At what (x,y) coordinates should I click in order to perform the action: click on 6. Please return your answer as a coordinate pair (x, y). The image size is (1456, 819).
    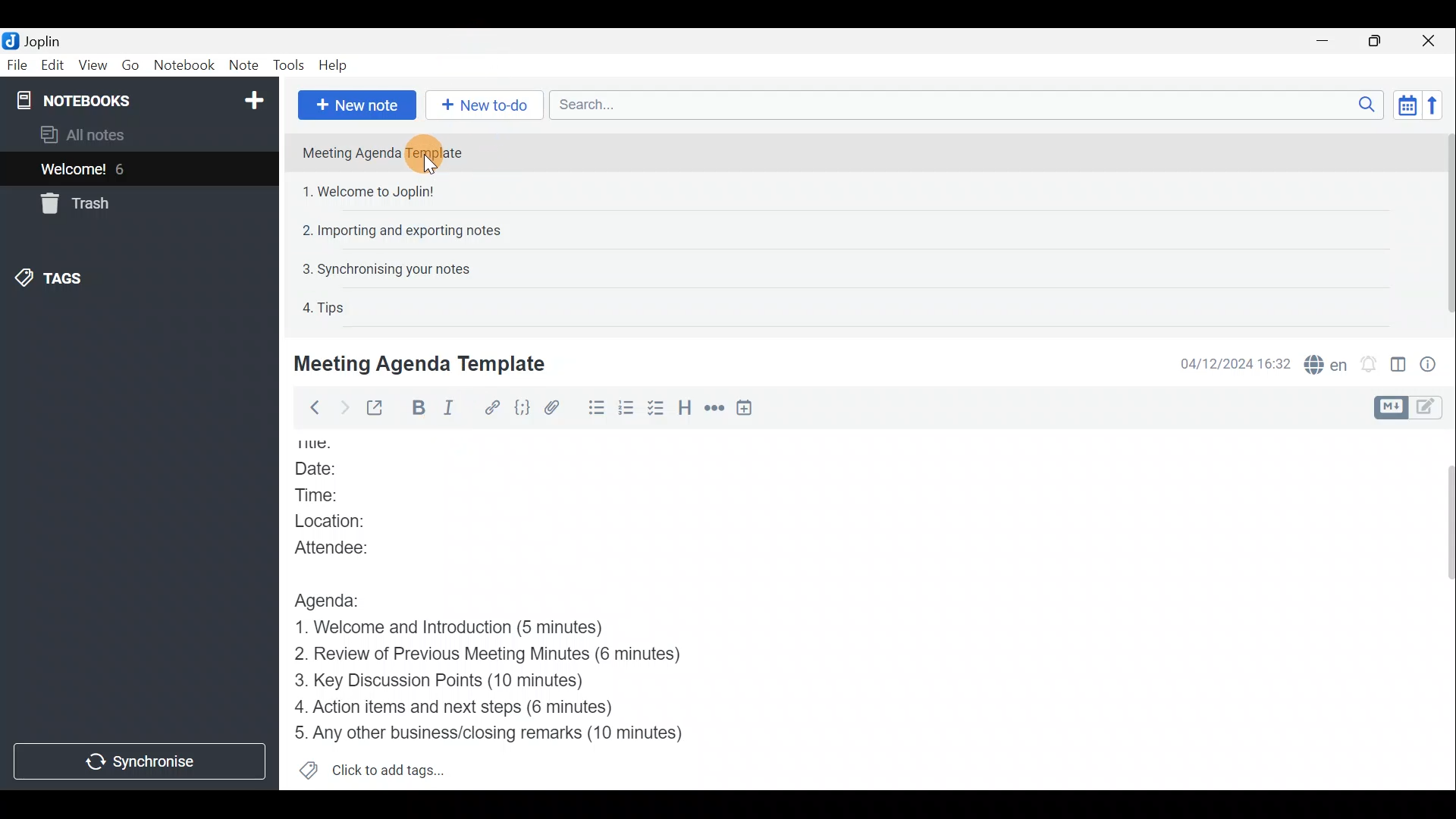
    Looking at the image, I should click on (124, 169).